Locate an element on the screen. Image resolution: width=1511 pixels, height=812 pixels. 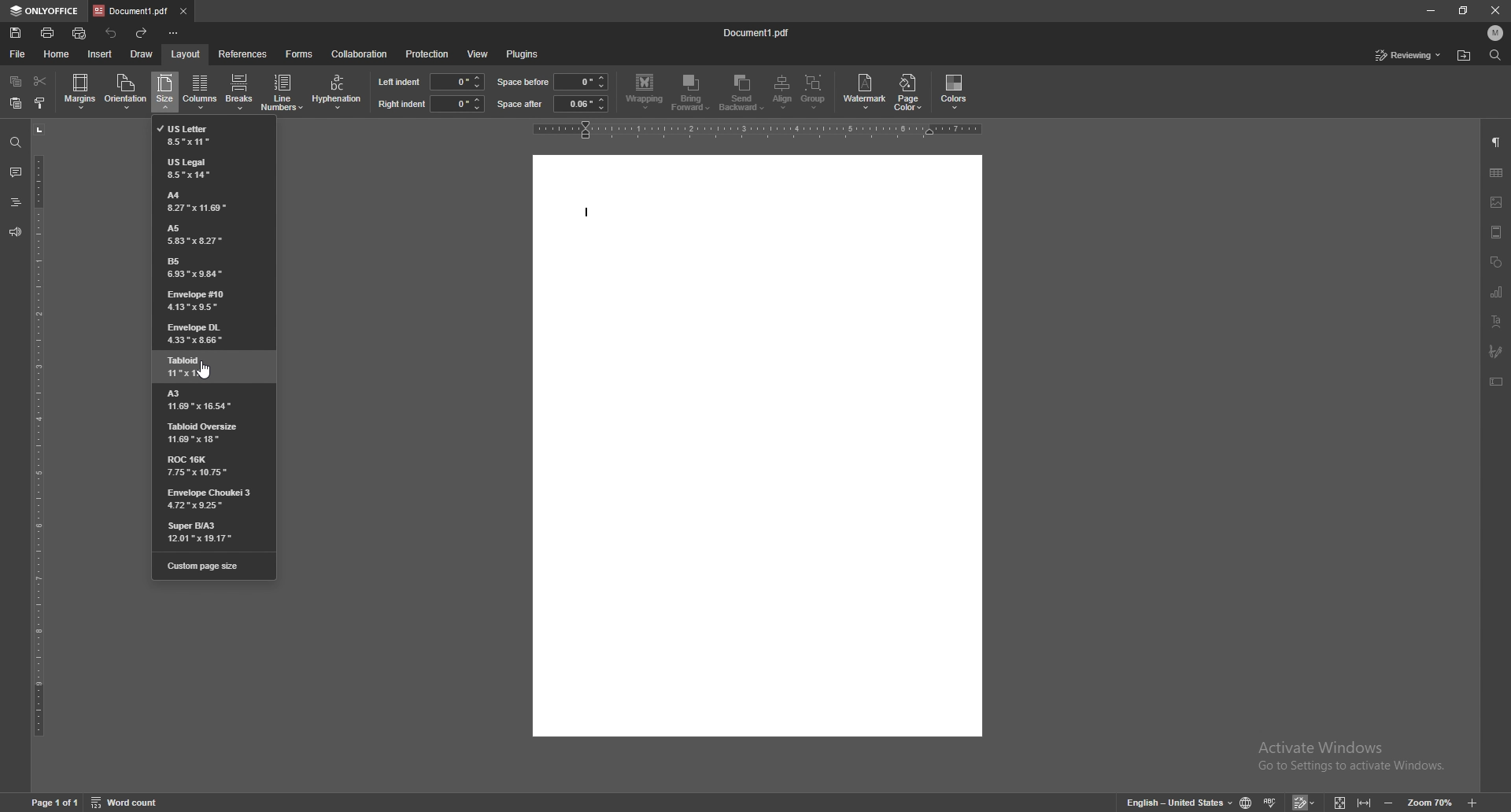
resize is located at coordinates (1463, 11).